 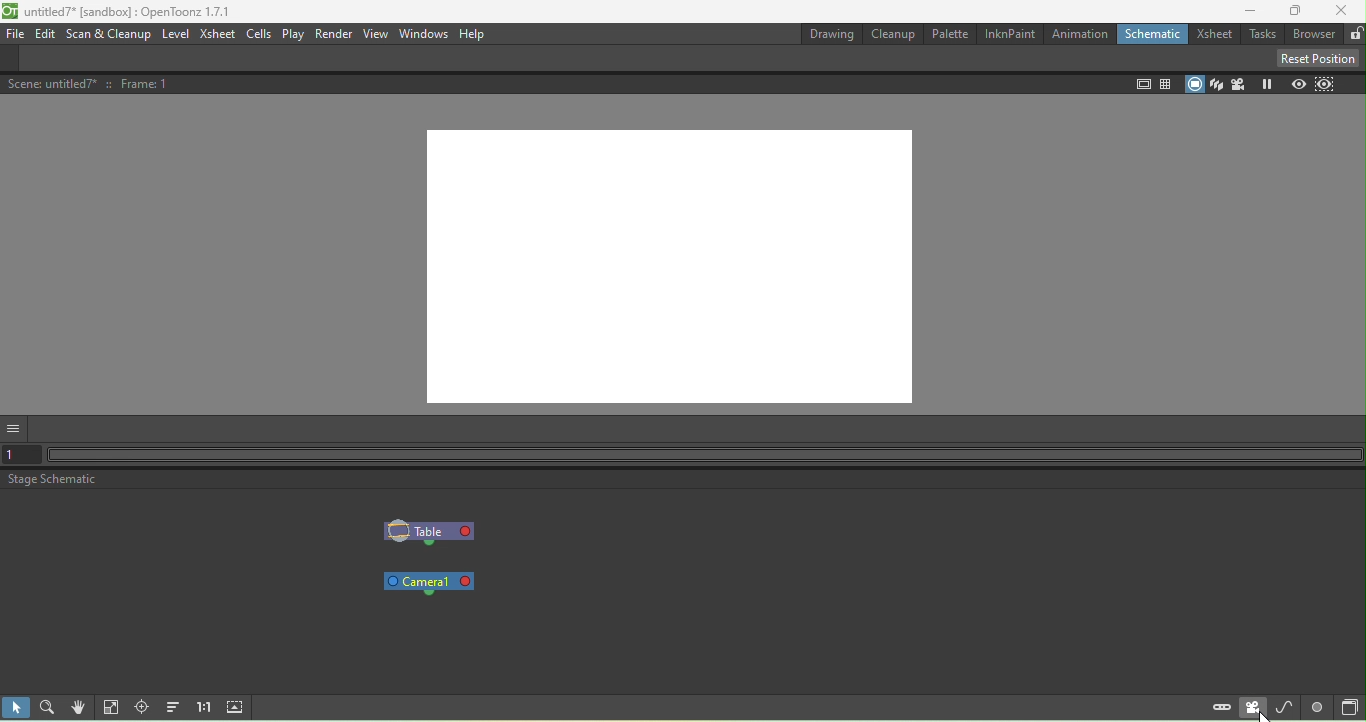 I want to click on Windows, so click(x=422, y=34).